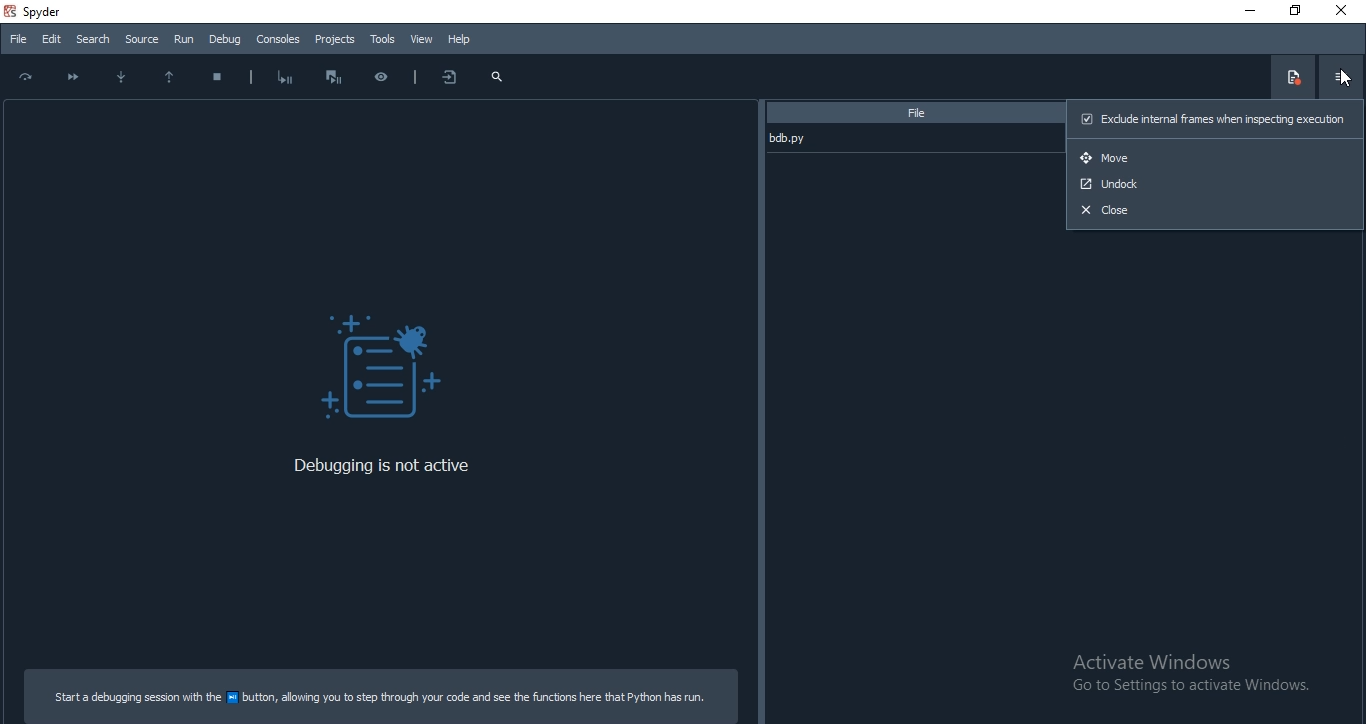  Describe the element at coordinates (1215, 185) in the screenshot. I see `Unlock` at that location.